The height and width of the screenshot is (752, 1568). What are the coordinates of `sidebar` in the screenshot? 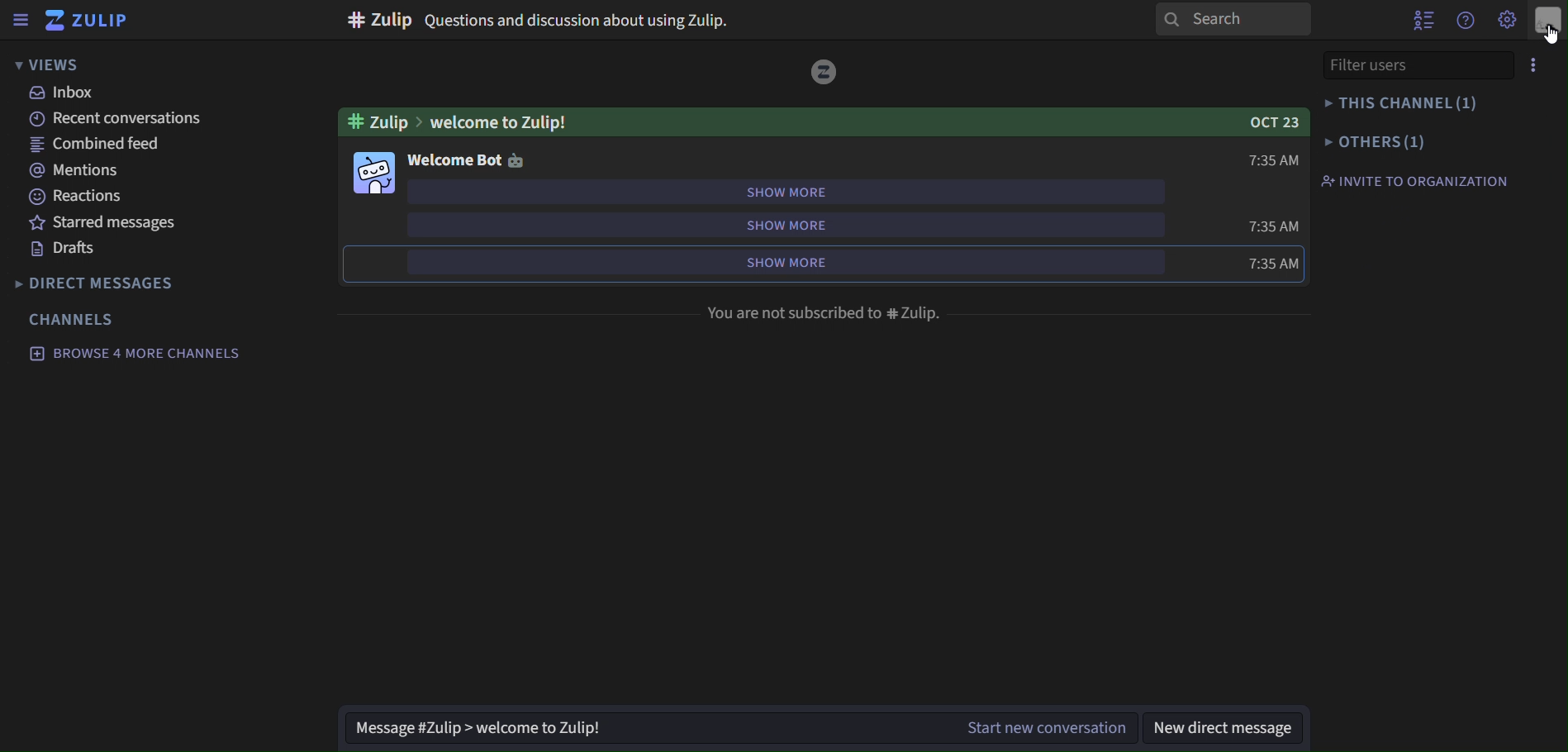 It's located at (21, 22).